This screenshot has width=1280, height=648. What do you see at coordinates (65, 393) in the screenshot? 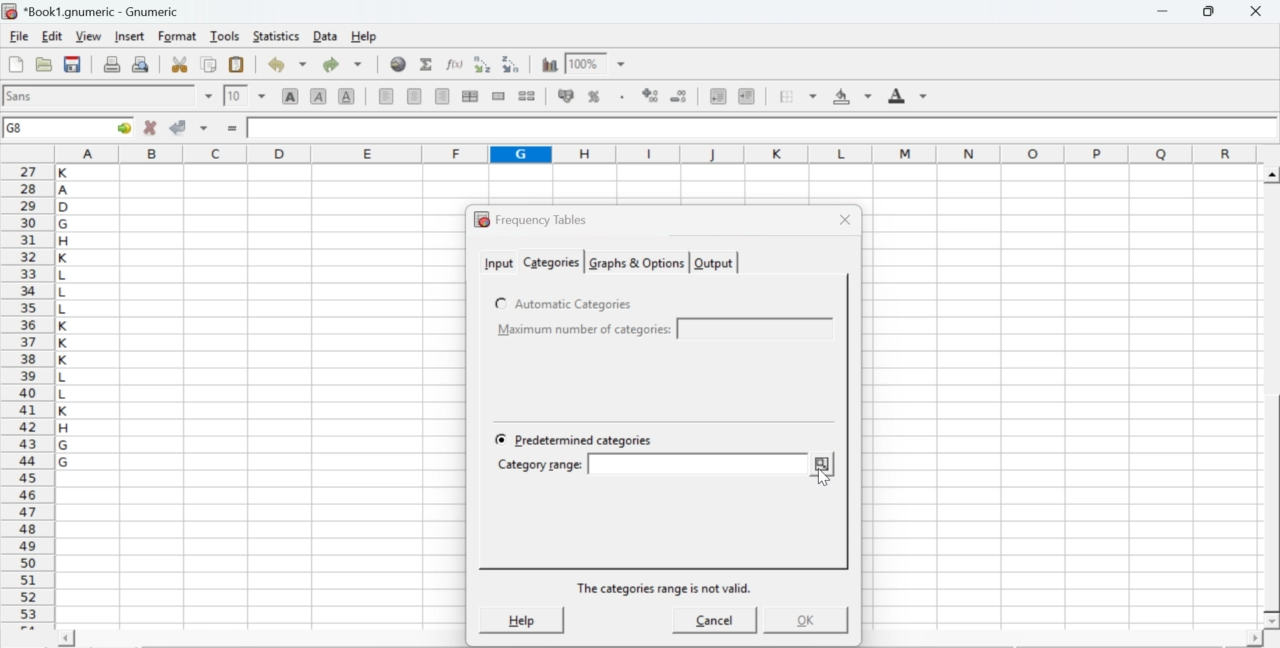
I see `alphabets` at bounding box center [65, 393].